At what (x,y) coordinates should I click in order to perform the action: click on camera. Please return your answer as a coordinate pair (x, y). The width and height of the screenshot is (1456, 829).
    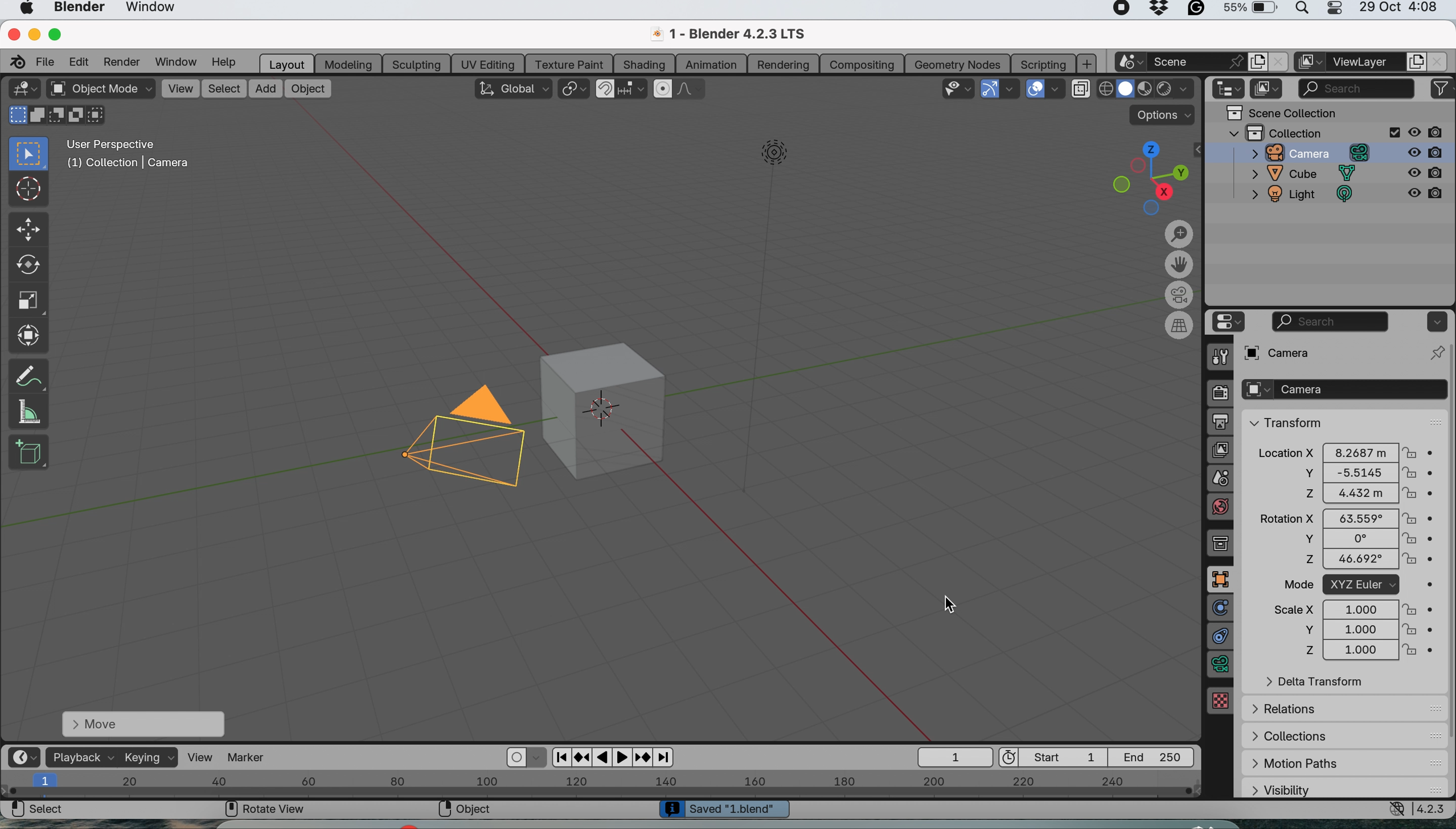
    Looking at the image, I should click on (1343, 389).